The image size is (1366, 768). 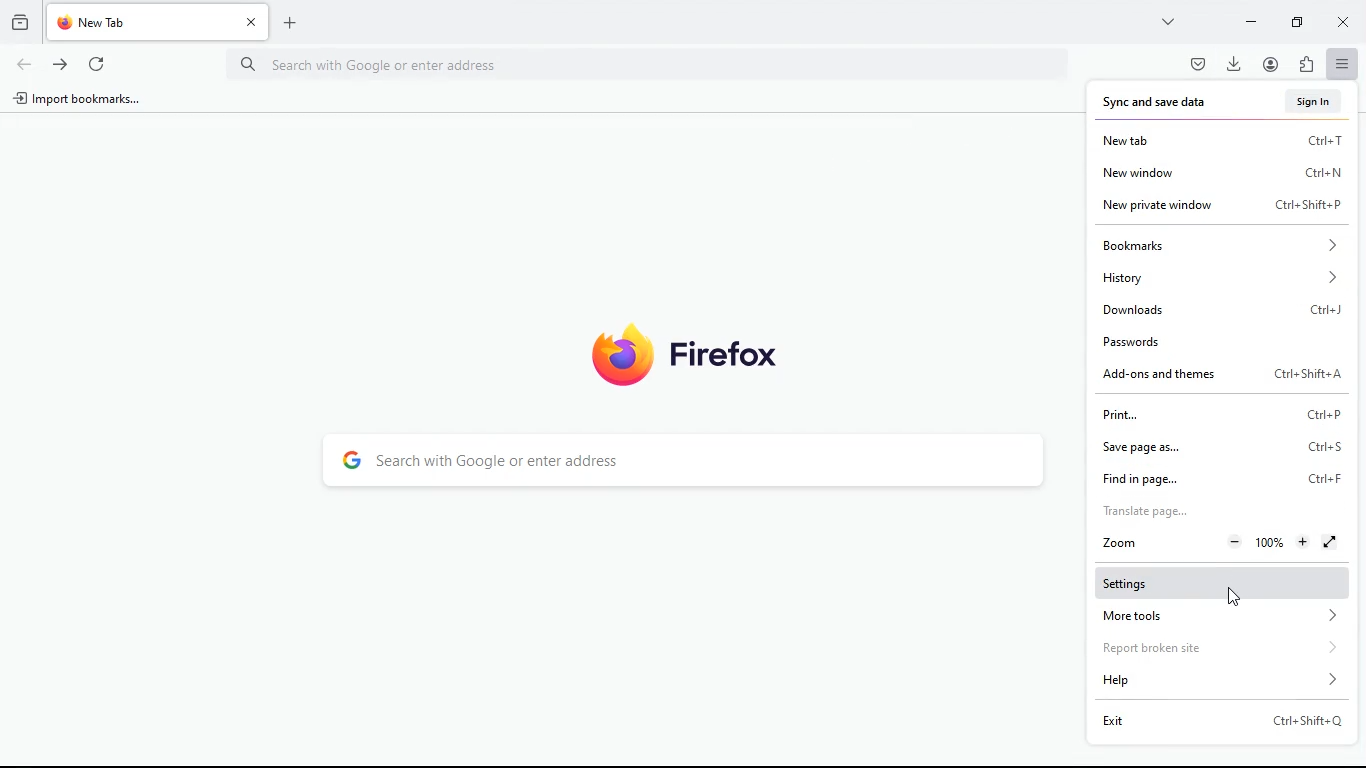 I want to click on new private window, so click(x=1221, y=208).